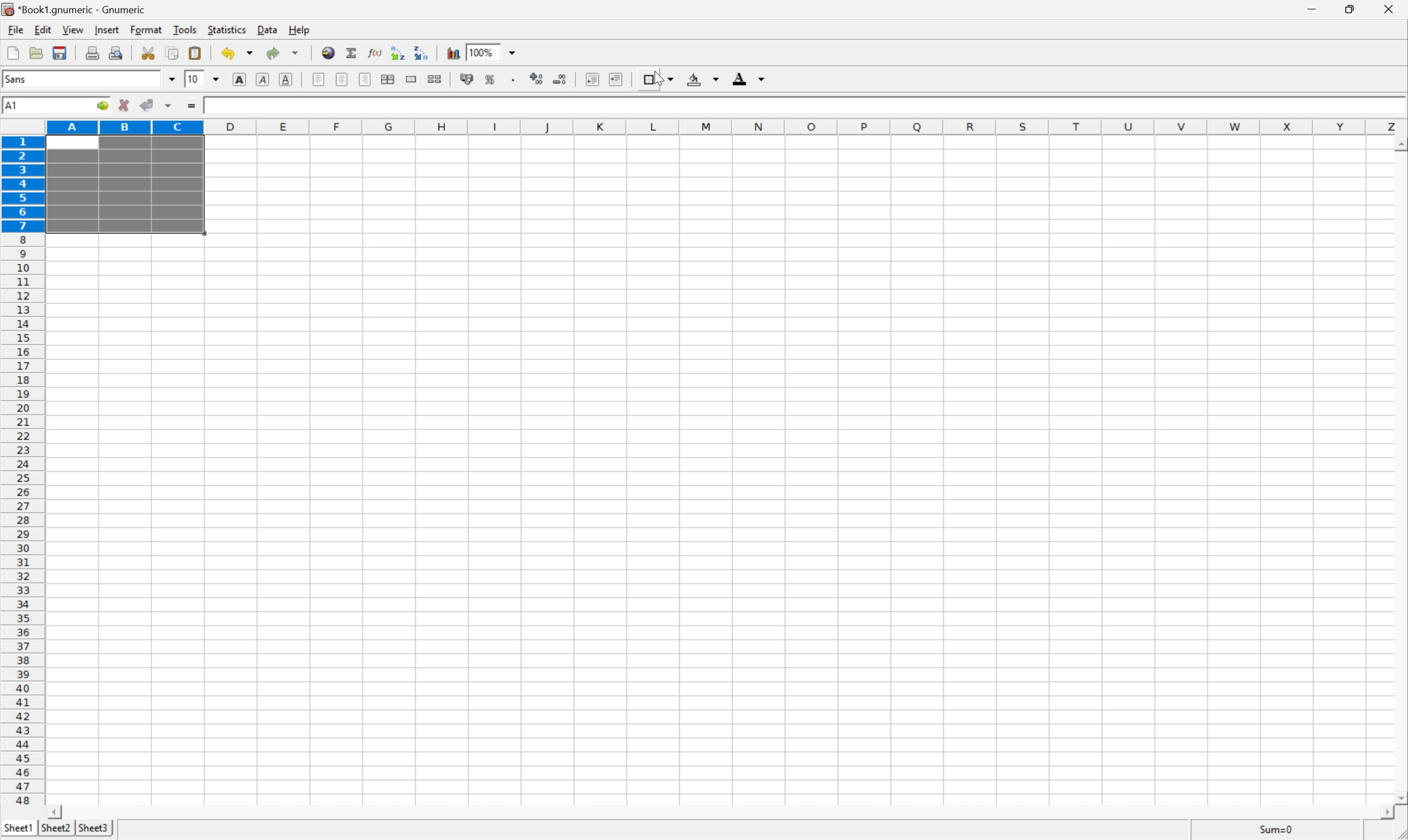  I want to click on Font size 10, so click(203, 80).